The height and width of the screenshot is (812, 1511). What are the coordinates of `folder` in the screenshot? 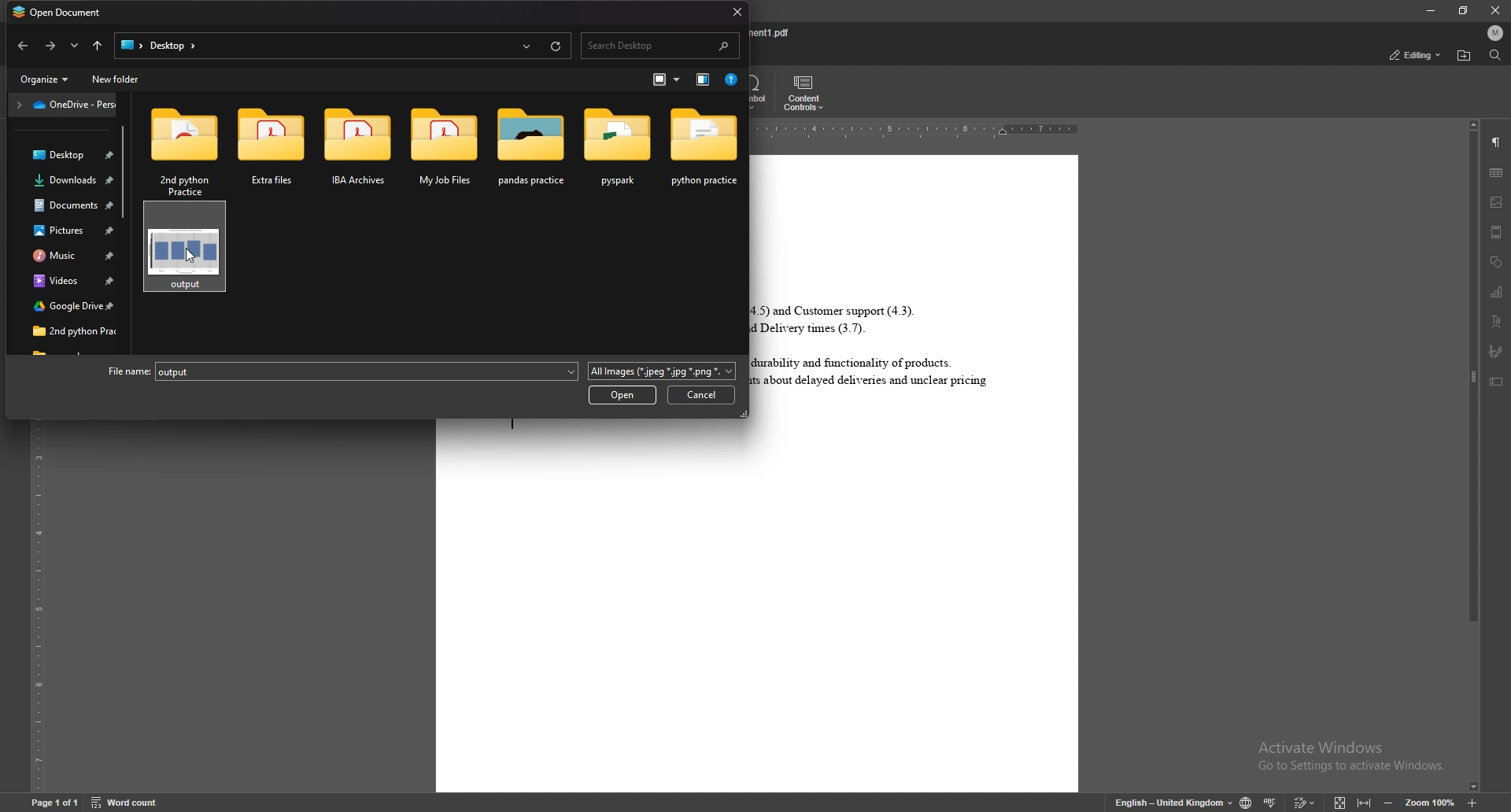 It's located at (60, 184).